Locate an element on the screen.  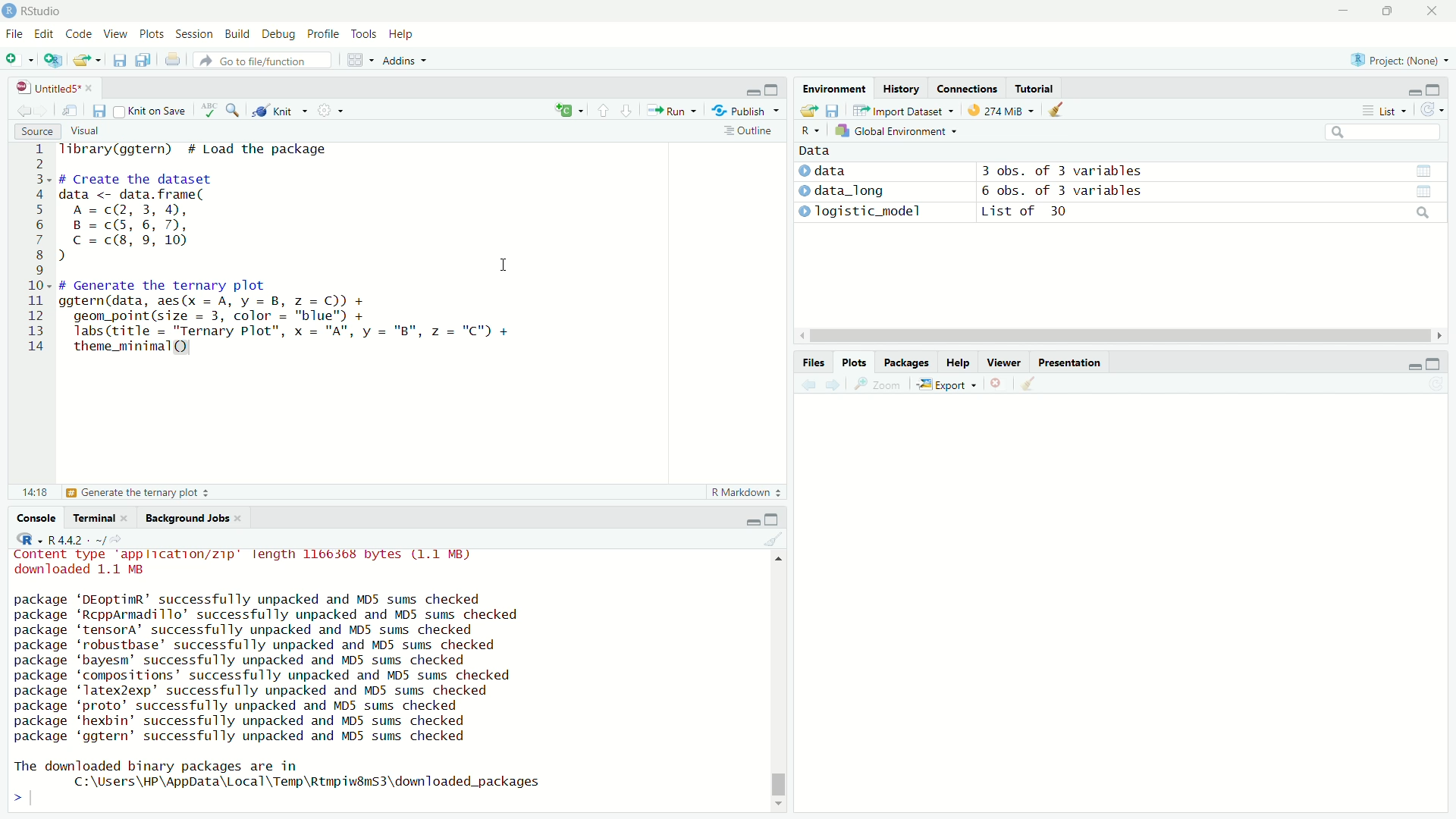
R~ is located at coordinates (808, 129).